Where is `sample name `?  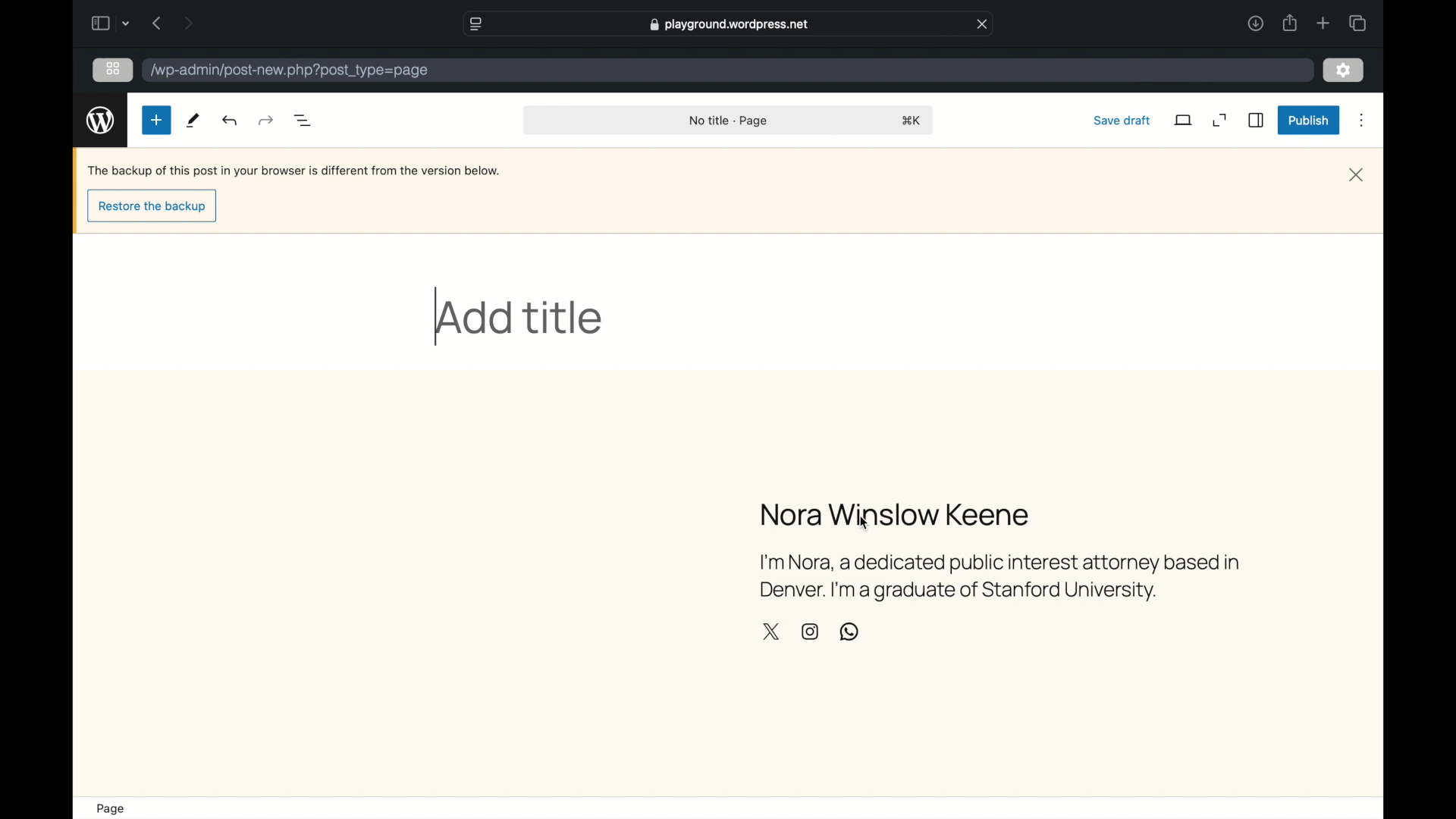 sample name  is located at coordinates (896, 514).